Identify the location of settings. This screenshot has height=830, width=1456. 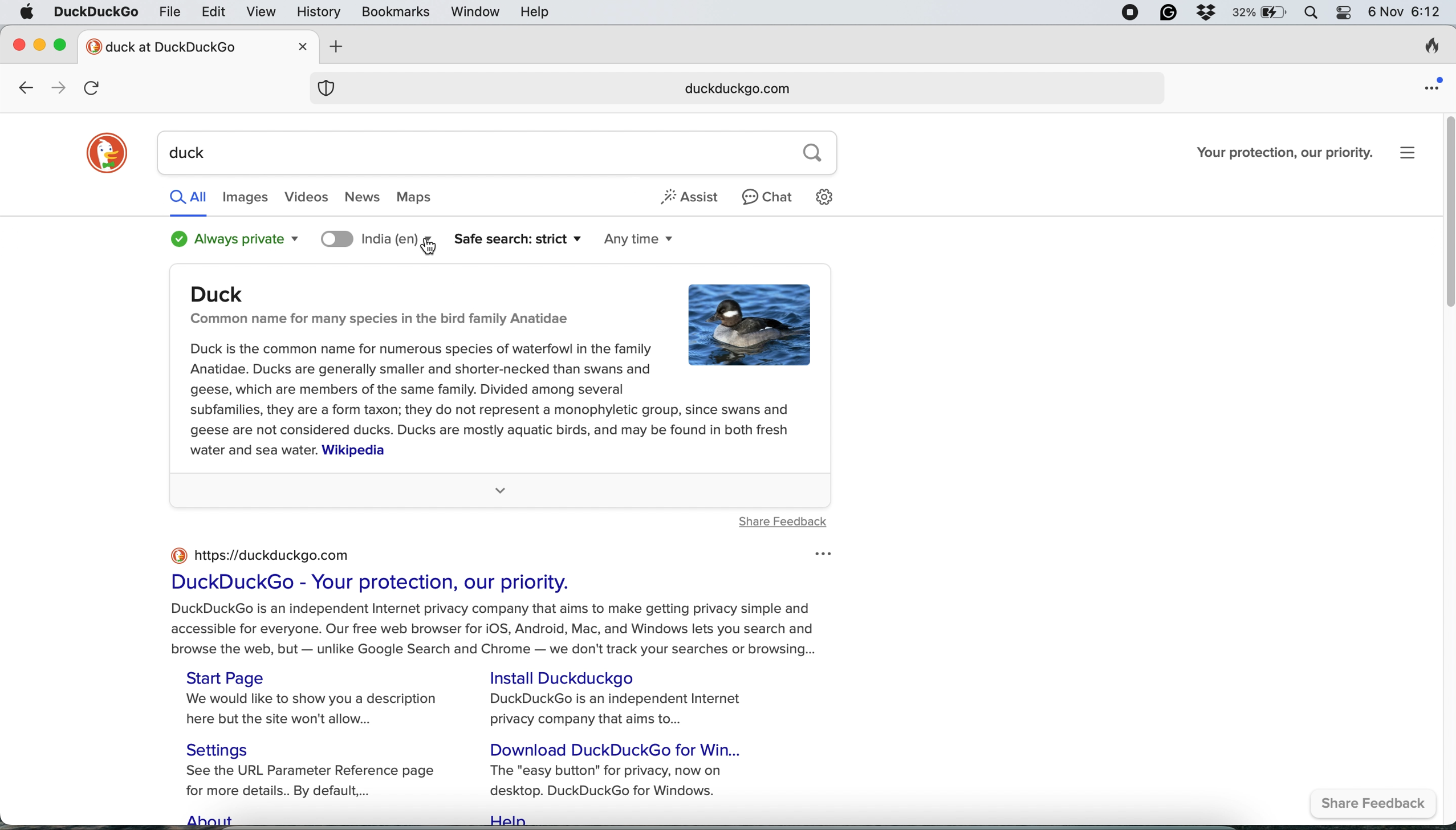
(829, 197).